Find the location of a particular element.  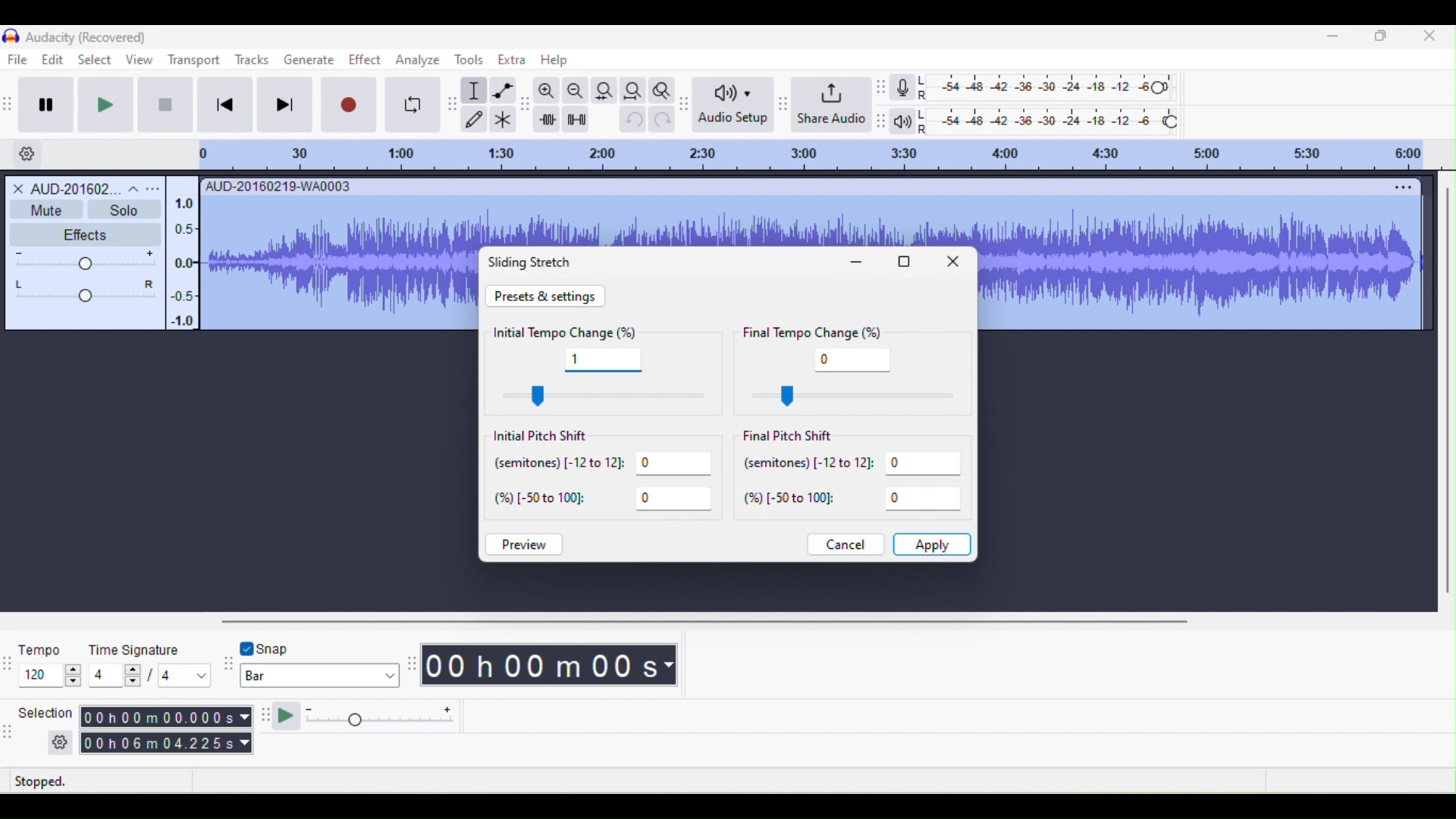

recording level is located at coordinates (1047, 86).